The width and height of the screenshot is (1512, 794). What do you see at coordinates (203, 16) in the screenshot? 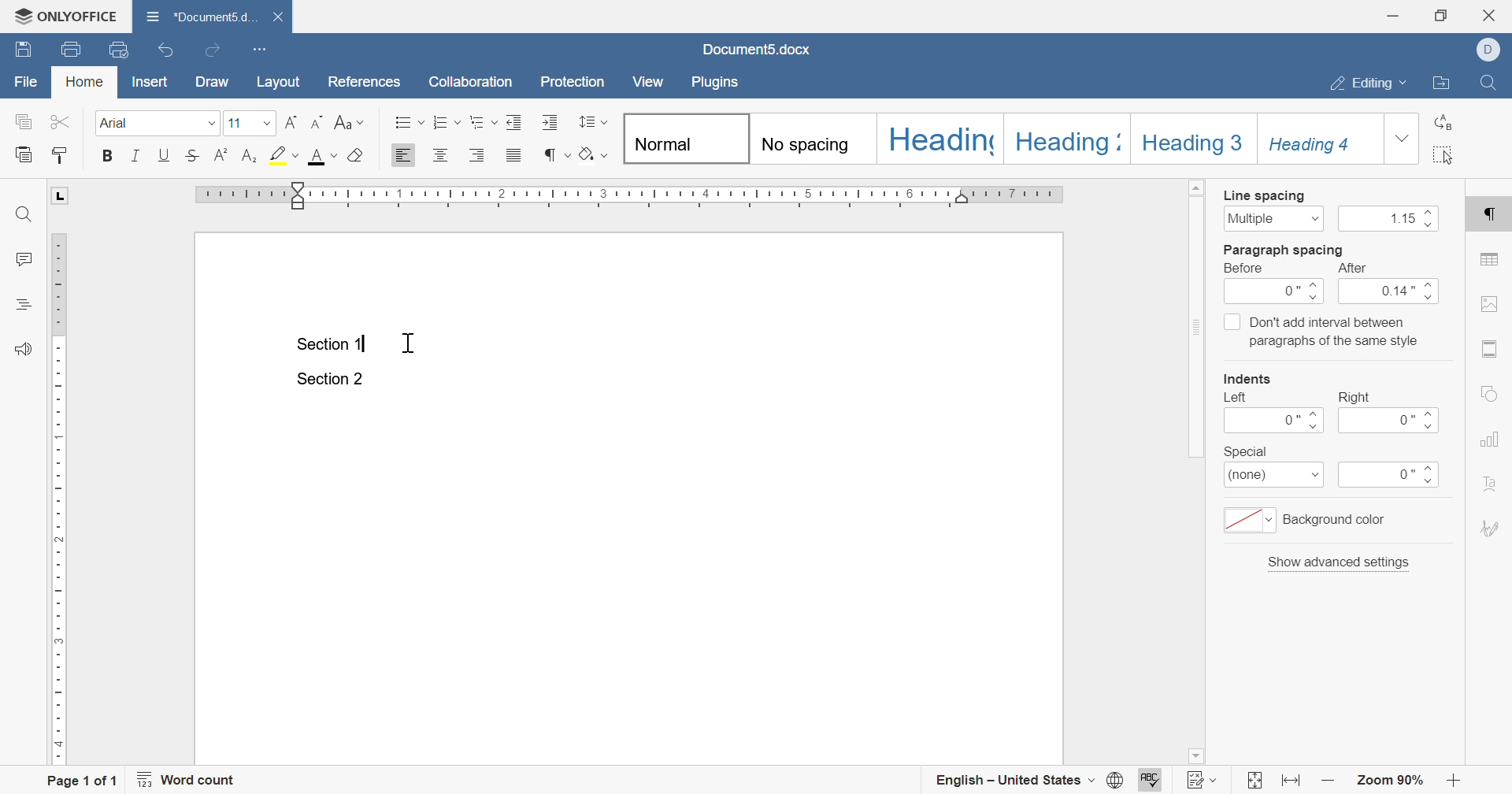
I see `document5.d` at bounding box center [203, 16].